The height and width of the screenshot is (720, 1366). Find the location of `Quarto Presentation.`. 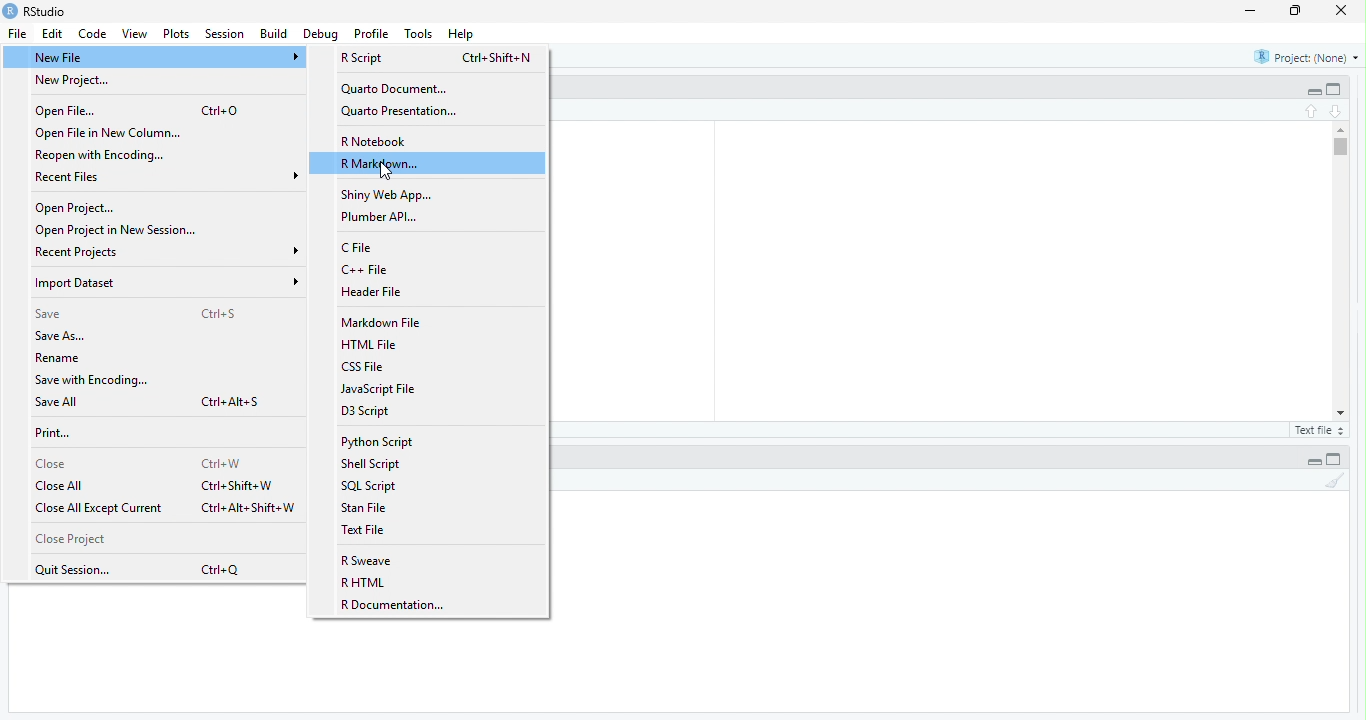

Quarto Presentation. is located at coordinates (401, 112).